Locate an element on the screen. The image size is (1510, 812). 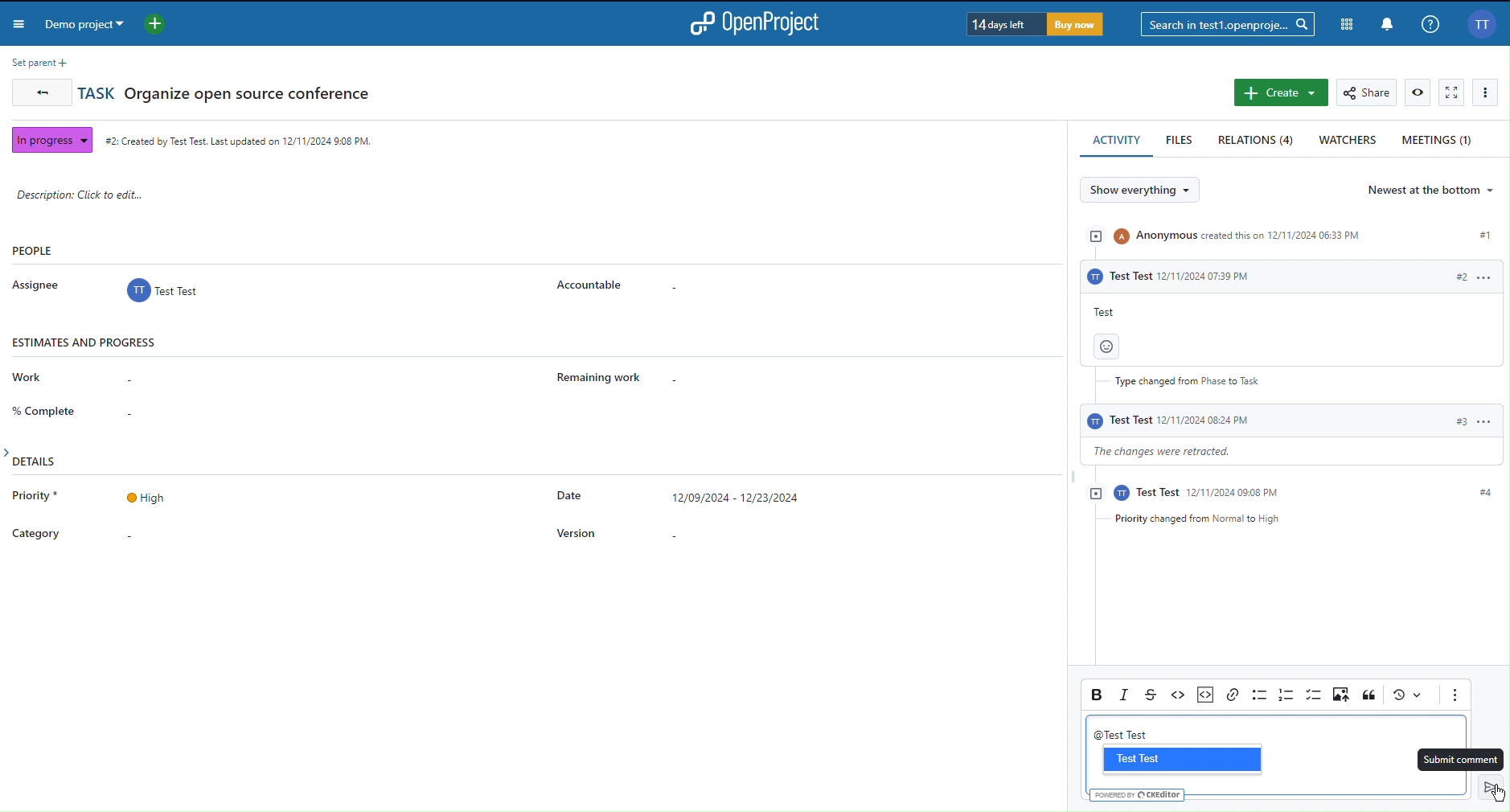
Activity is located at coordinates (1118, 141).